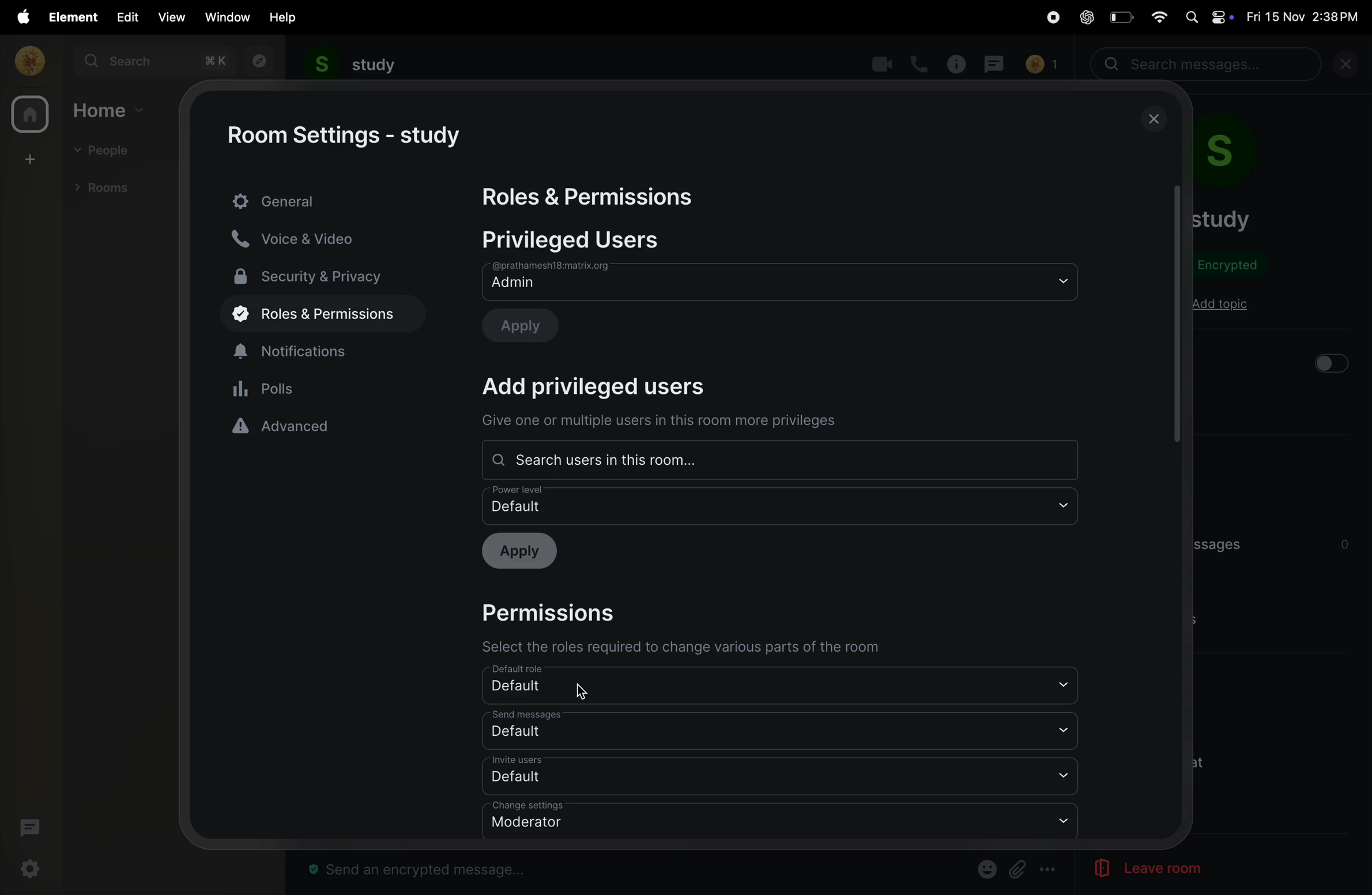 The image size is (1372, 895). What do you see at coordinates (959, 63) in the screenshot?
I see `info` at bounding box center [959, 63].